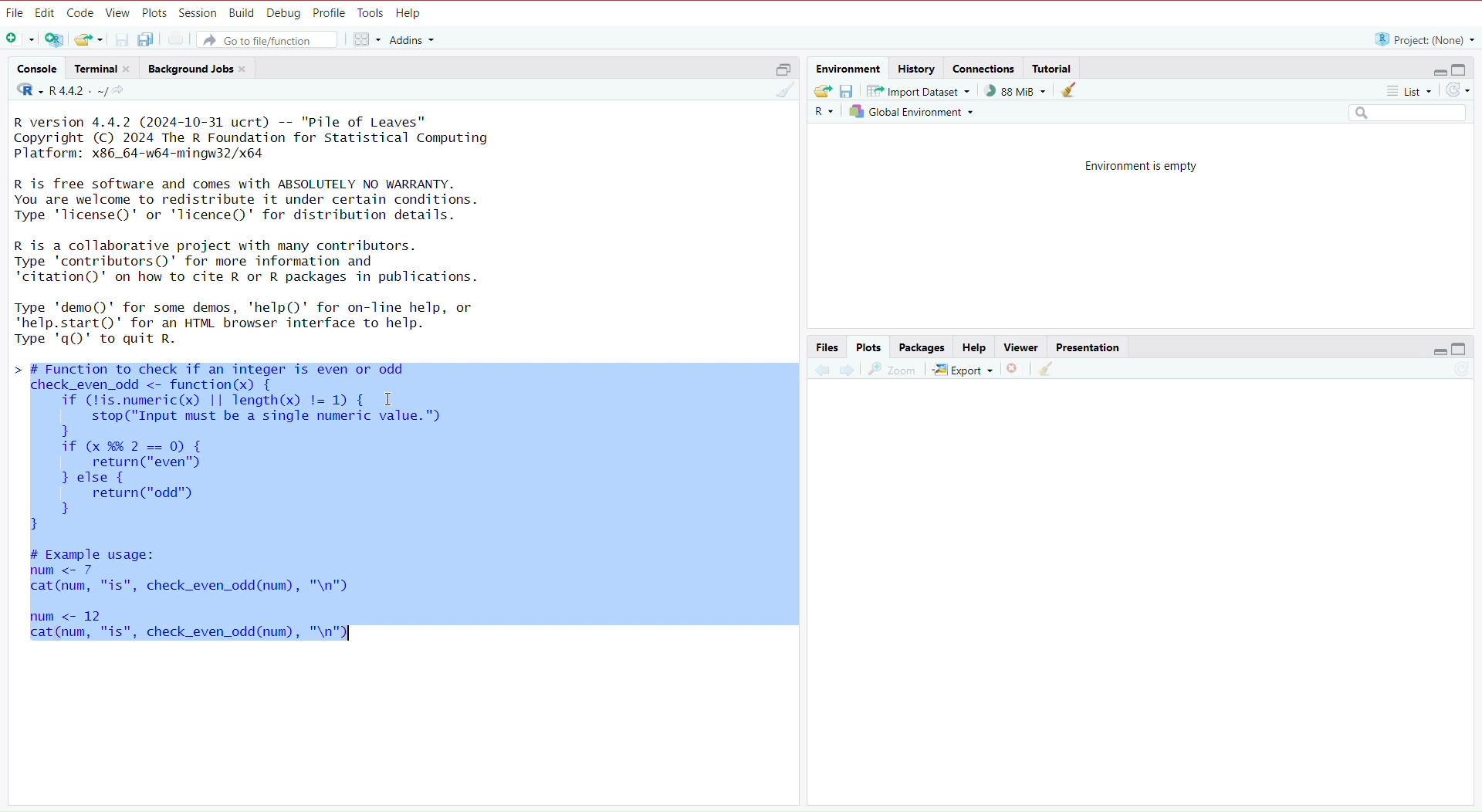 Image resolution: width=1482 pixels, height=812 pixels. I want to click on expand, so click(1435, 71).